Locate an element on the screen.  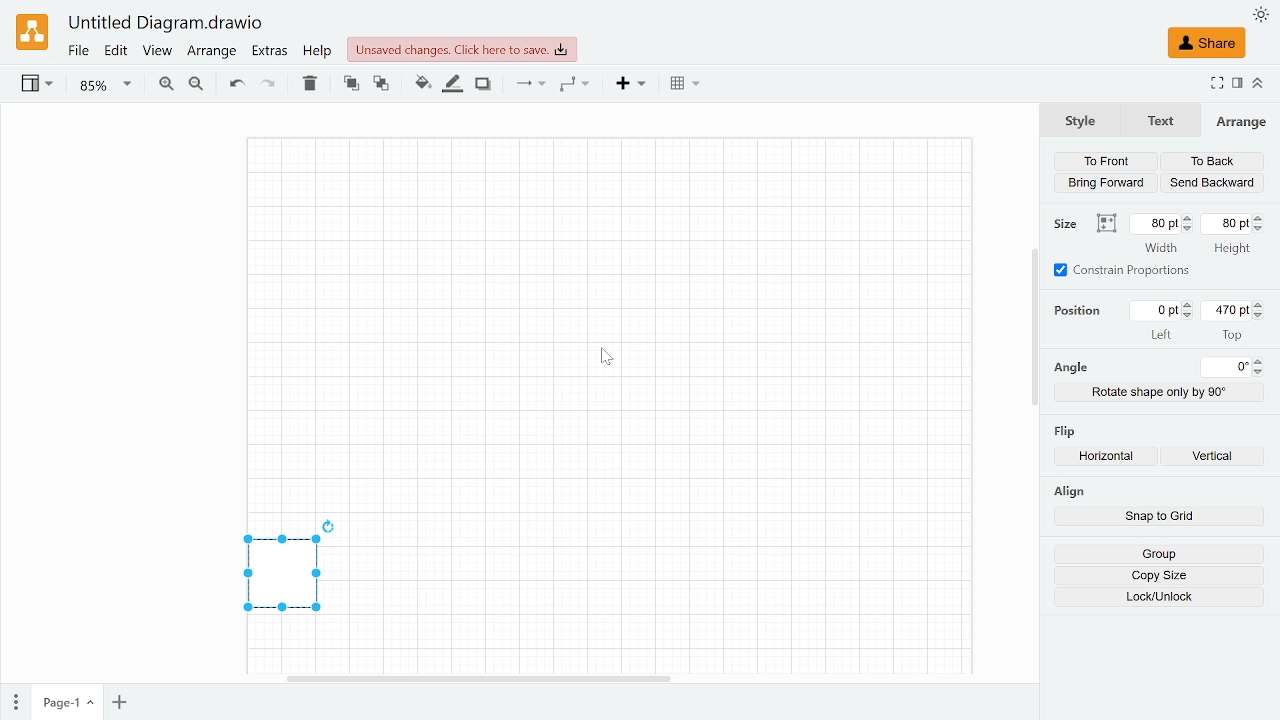
Rotate shape only by 90 degrees is located at coordinates (1160, 392).